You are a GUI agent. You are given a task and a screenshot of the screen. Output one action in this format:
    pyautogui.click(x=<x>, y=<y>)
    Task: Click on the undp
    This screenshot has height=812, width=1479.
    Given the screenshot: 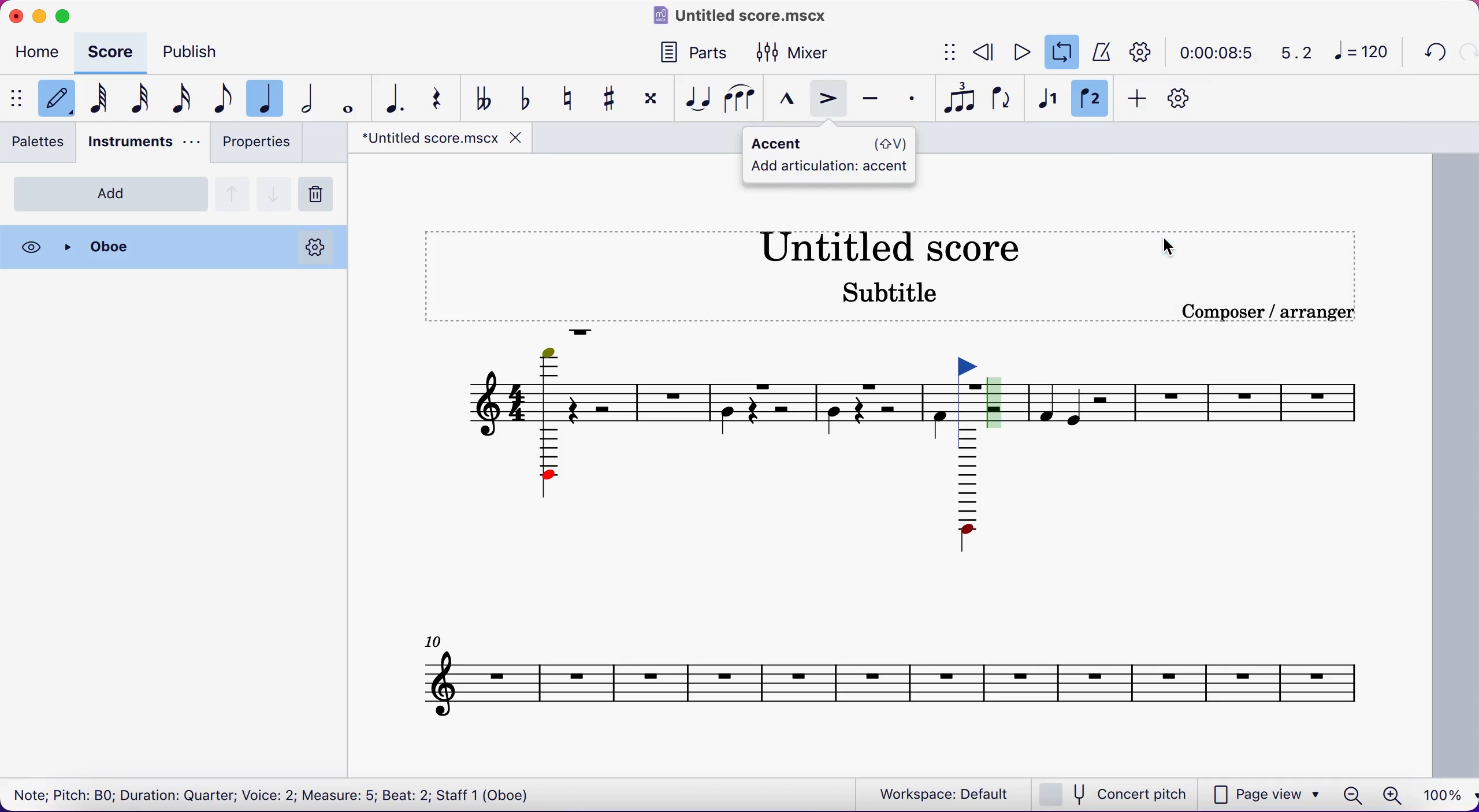 What is the action you would take?
    pyautogui.click(x=1432, y=53)
    